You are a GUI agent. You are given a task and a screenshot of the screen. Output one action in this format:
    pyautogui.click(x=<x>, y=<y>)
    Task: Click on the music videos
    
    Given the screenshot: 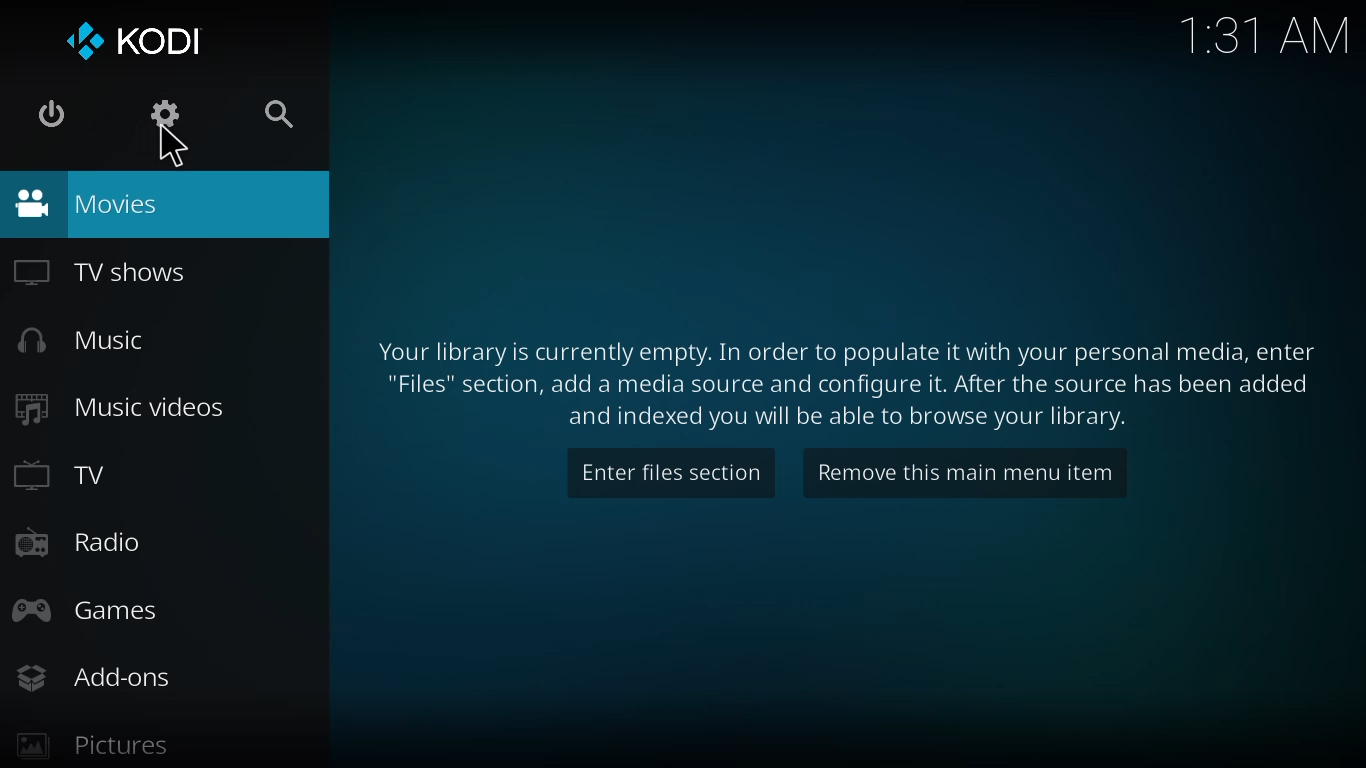 What is the action you would take?
    pyautogui.click(x=120, y=405)
    